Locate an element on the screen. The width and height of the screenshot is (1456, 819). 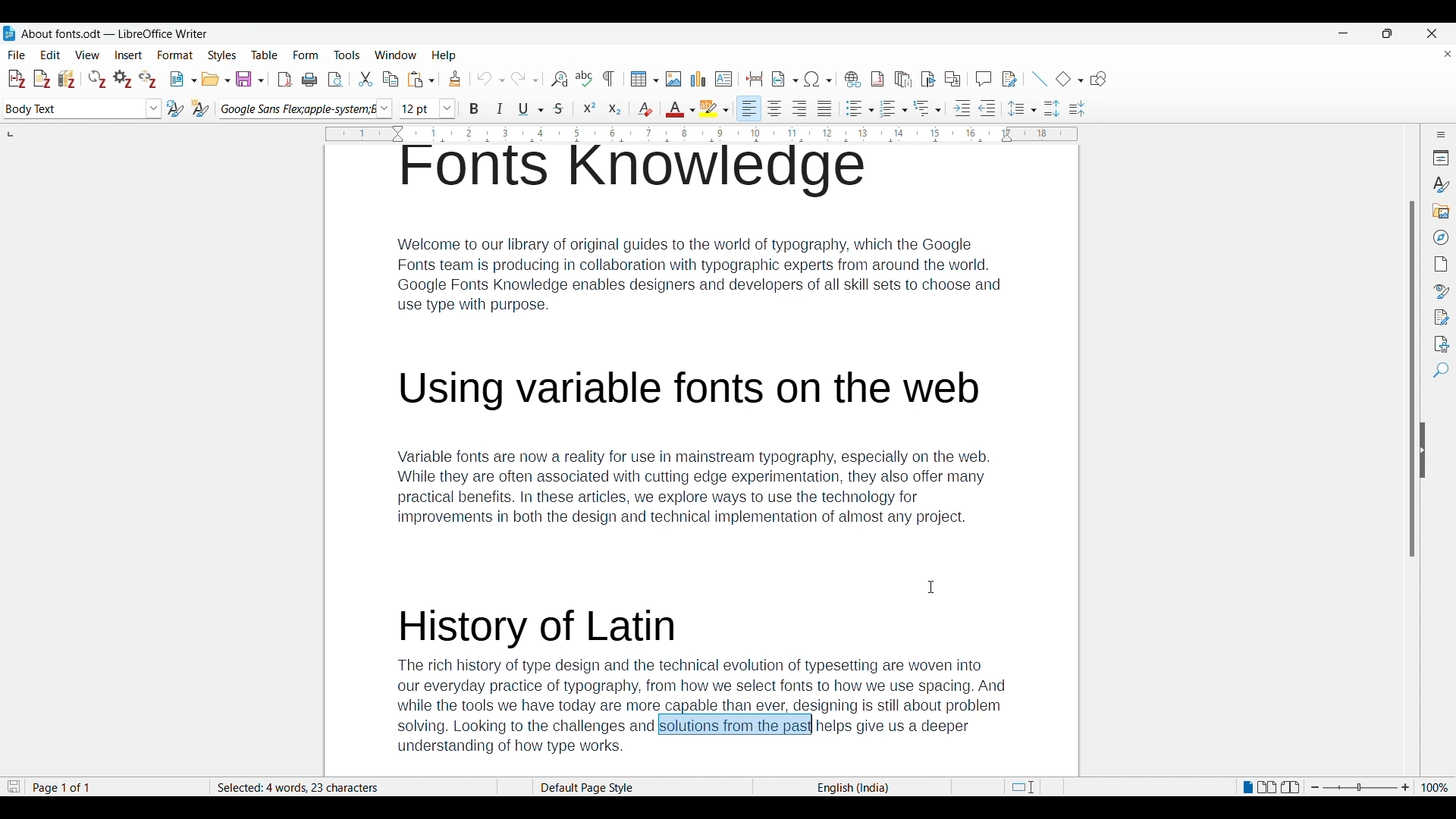
Multi page view is located at coordinates (1267, 787).